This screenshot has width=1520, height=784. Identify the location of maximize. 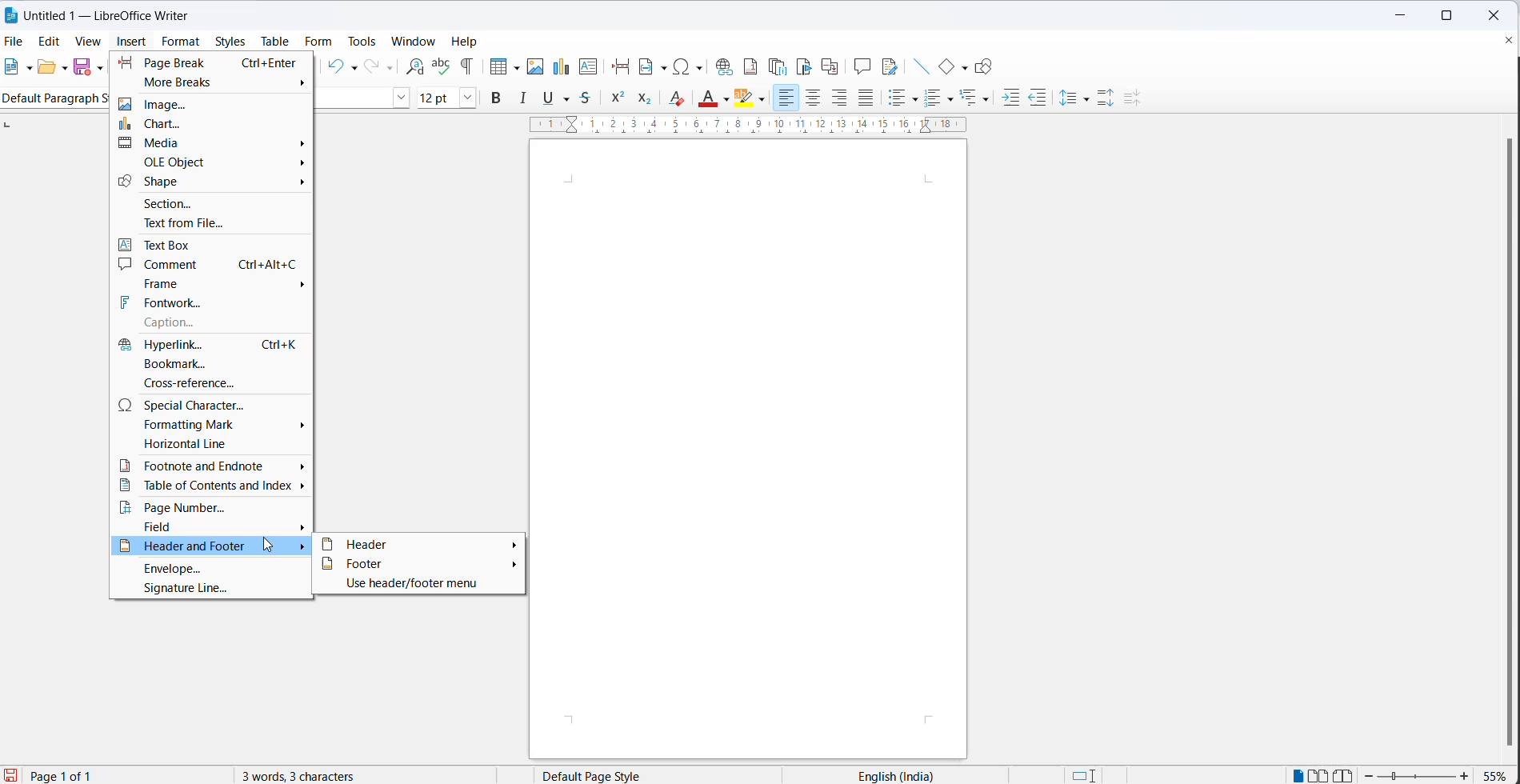
(1446, 18).